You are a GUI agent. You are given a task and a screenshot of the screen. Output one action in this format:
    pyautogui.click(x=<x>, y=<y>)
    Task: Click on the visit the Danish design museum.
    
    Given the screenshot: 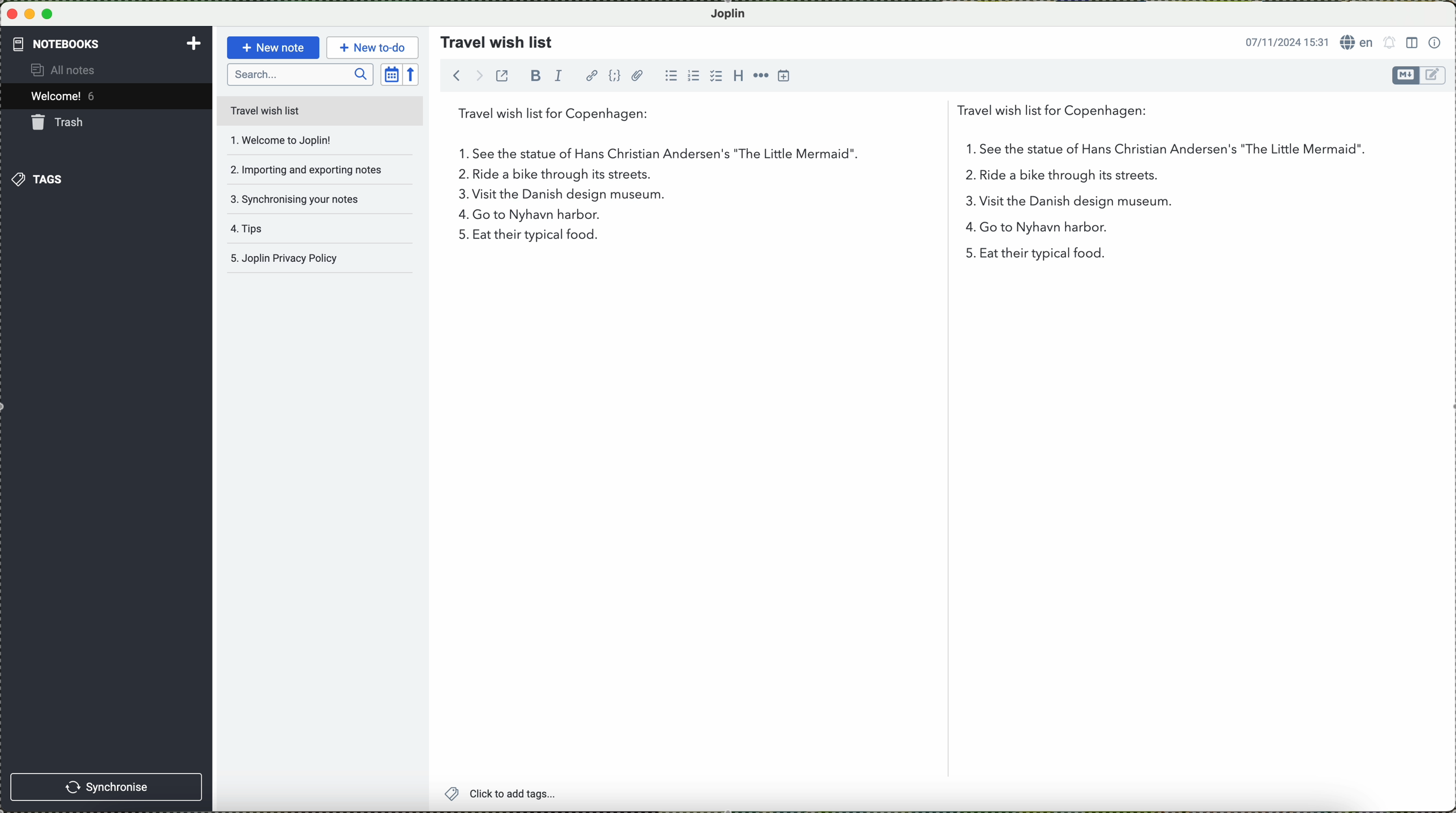 What is the action you would take?
    pyautogui.click(x=809, y=197)
    